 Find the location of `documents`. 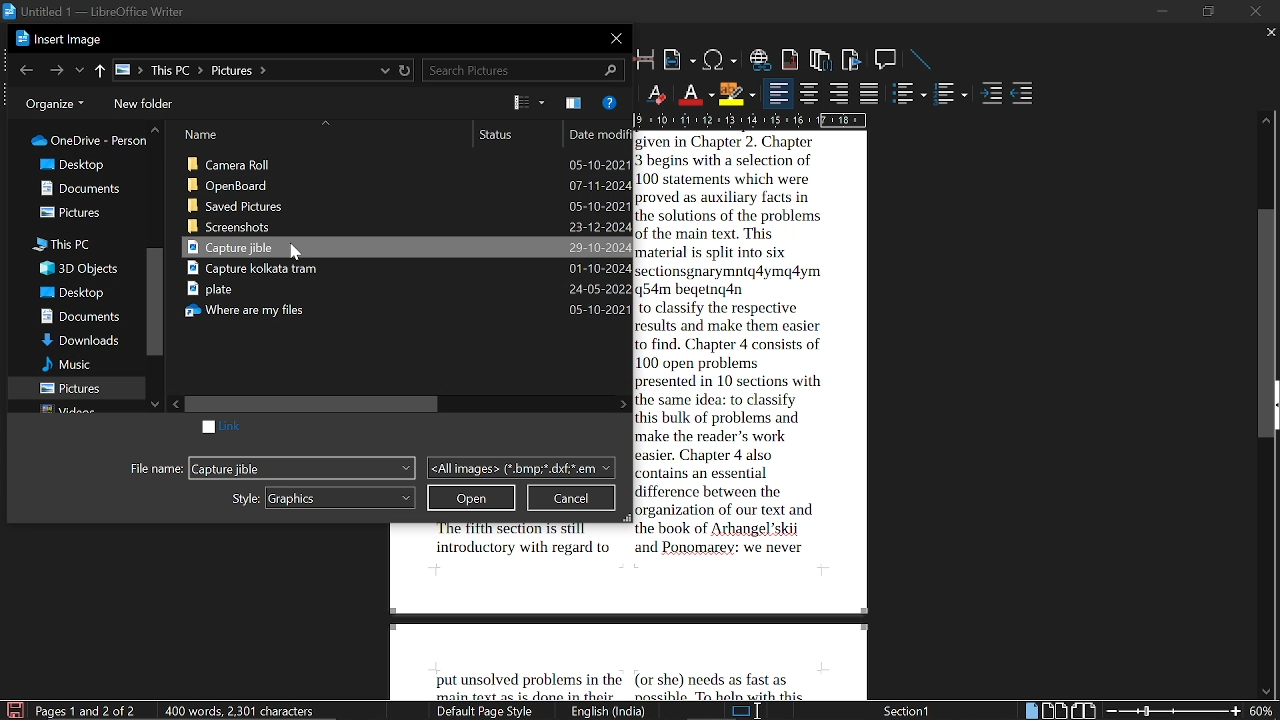

documents is located at coordinates (78, 317).